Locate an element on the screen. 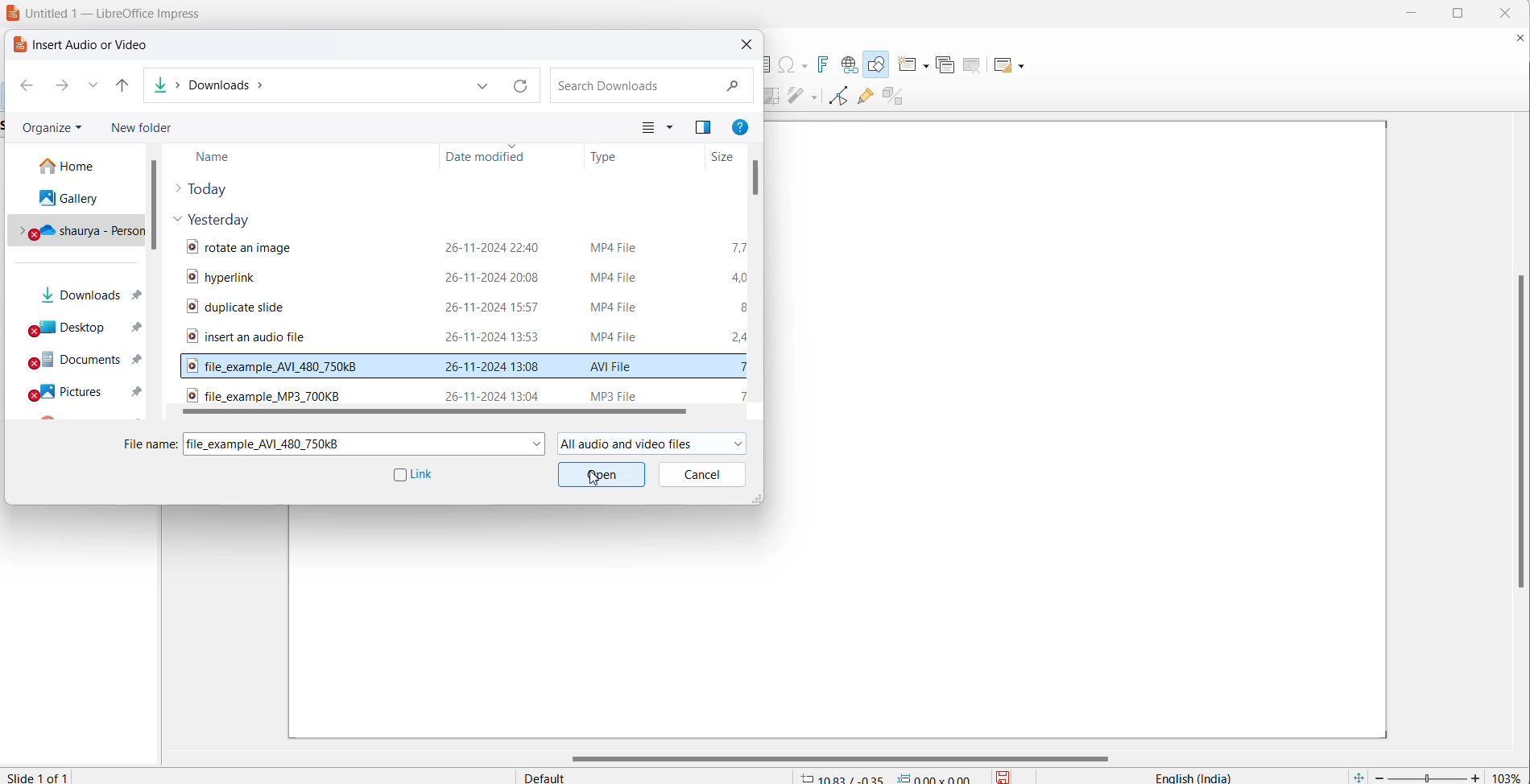 The height and width of the screenshot is (784, 1530). delete slide is located at coordinates (974, 65).